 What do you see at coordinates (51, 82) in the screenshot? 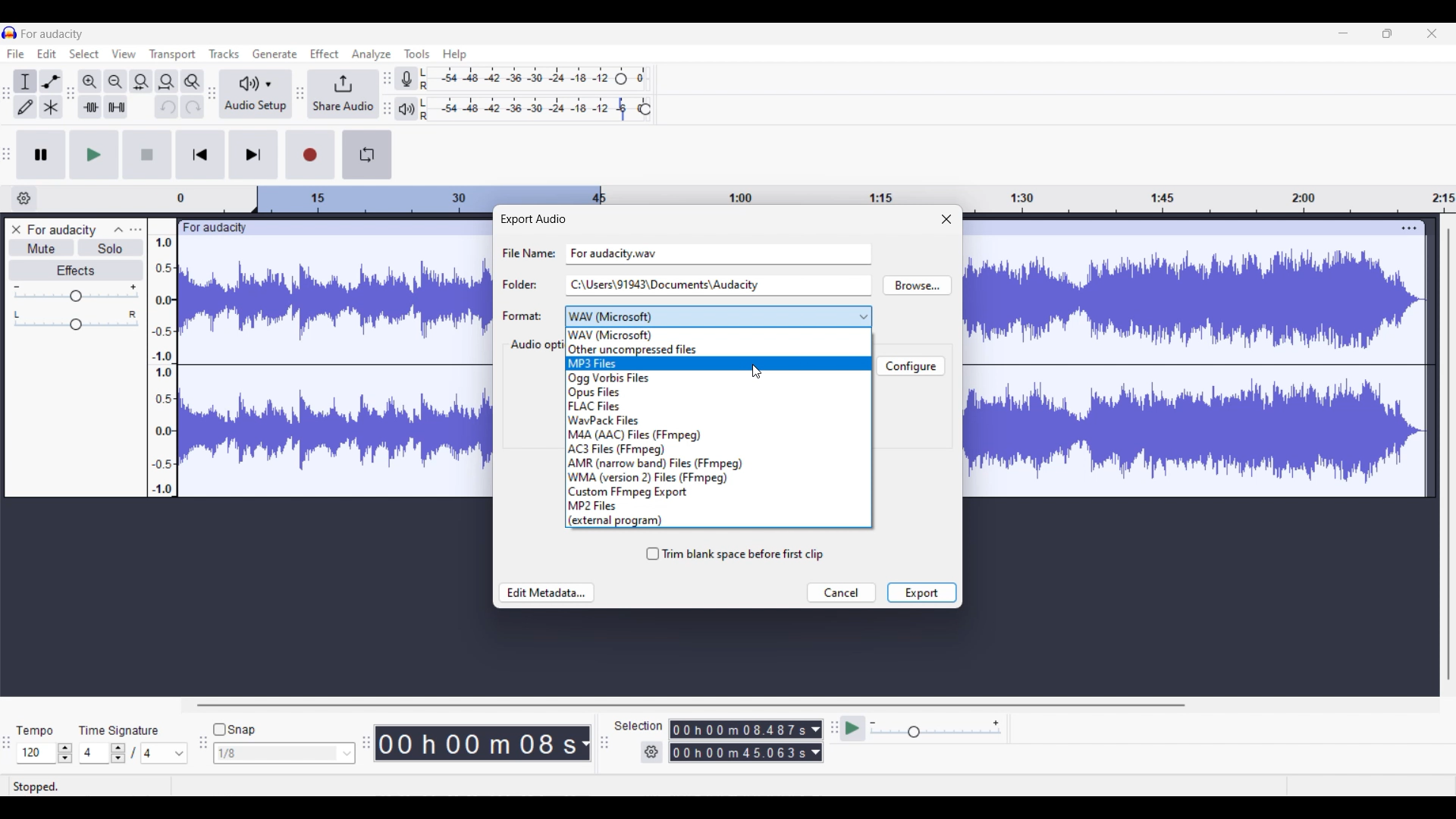
I see `Envelop tool` at bounding box center [51, 82].